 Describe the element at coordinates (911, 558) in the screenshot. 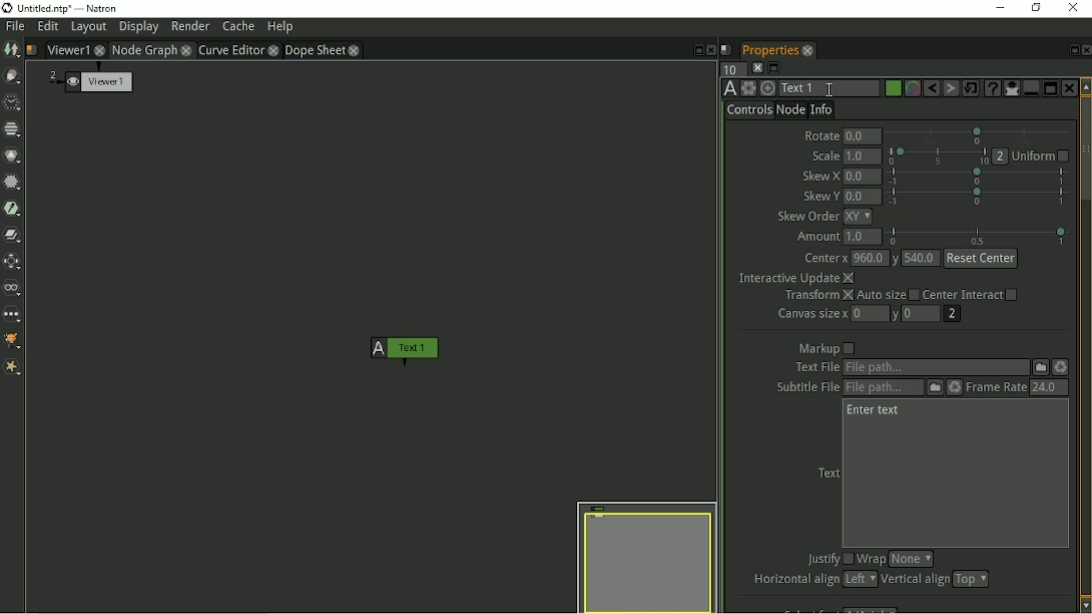

I see `none` at that location.